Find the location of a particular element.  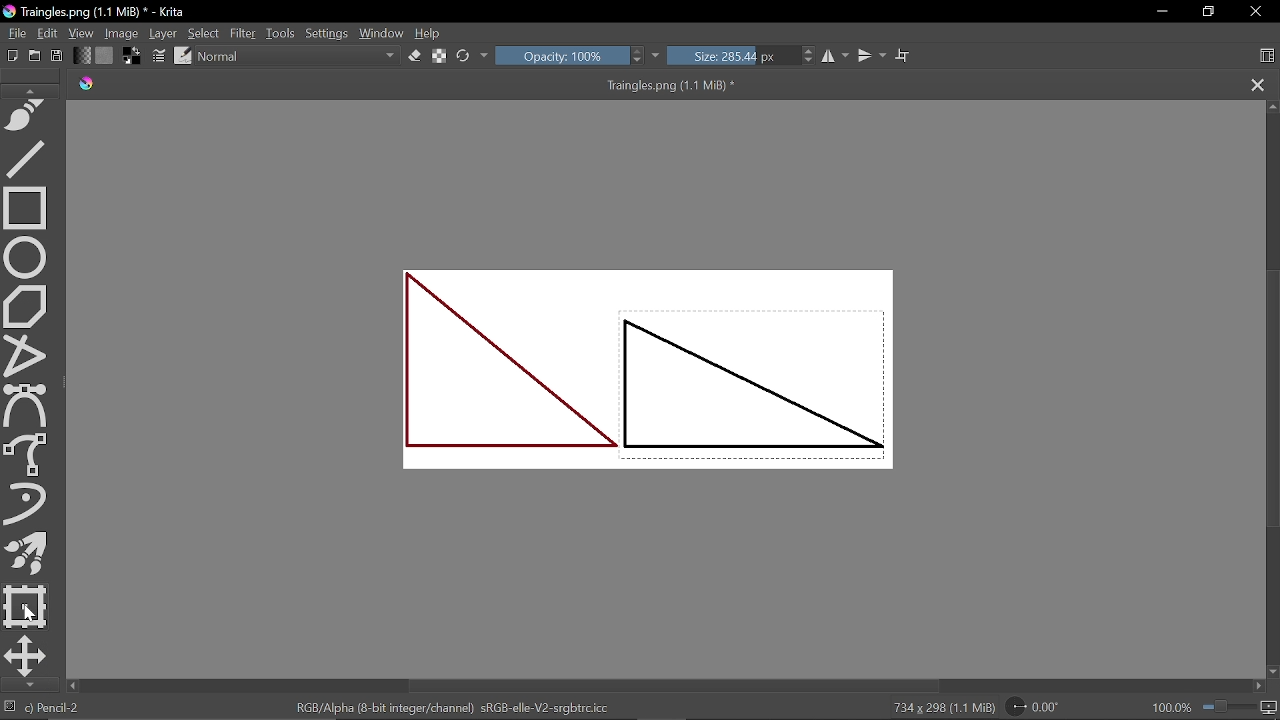

Line tool is located at coordinates (30, 158).